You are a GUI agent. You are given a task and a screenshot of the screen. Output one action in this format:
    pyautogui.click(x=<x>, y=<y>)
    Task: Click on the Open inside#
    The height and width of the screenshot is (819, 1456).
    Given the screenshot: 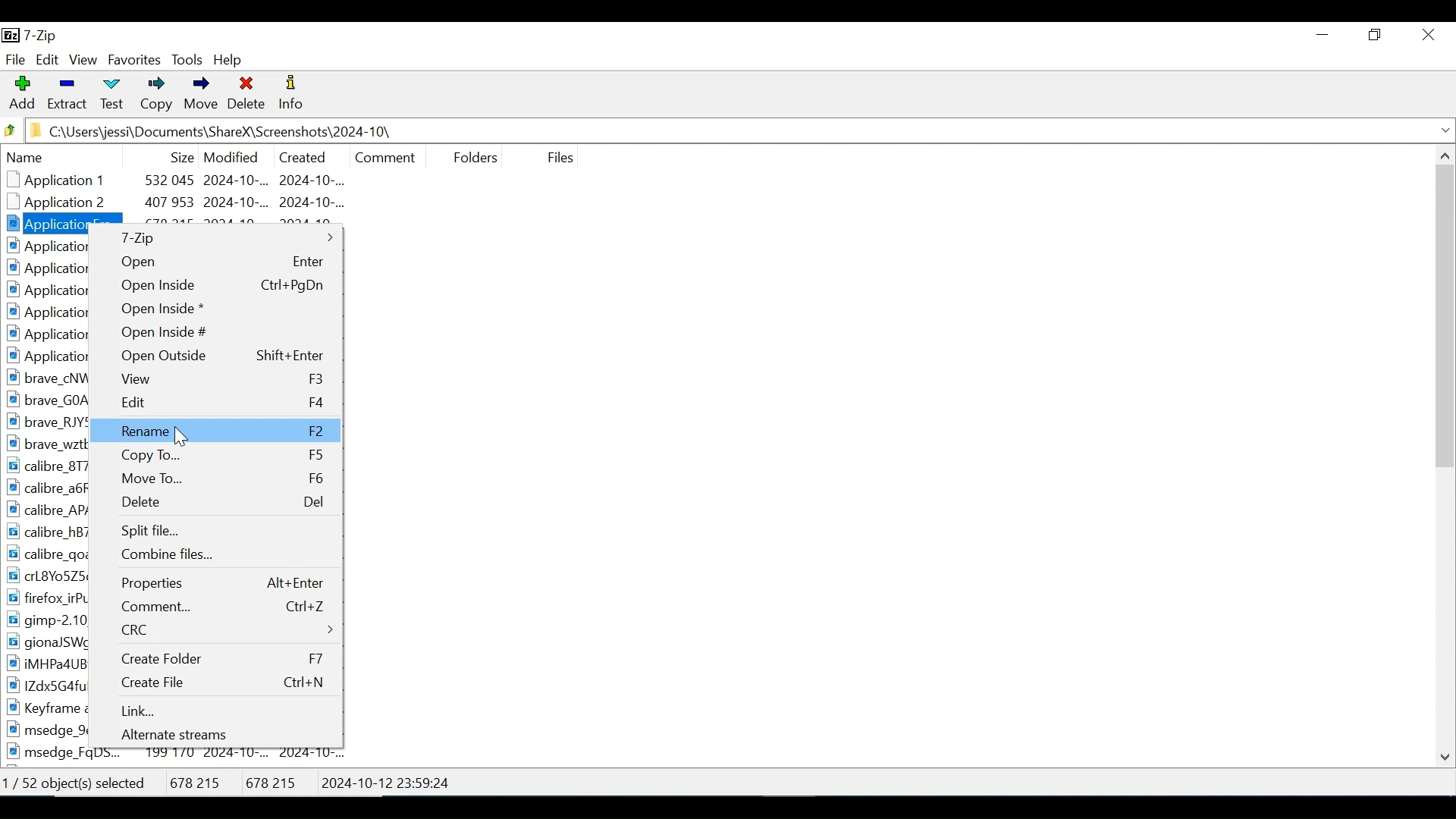 What is the action you would take?
    pyautogui.click(x=215, y=331)
    